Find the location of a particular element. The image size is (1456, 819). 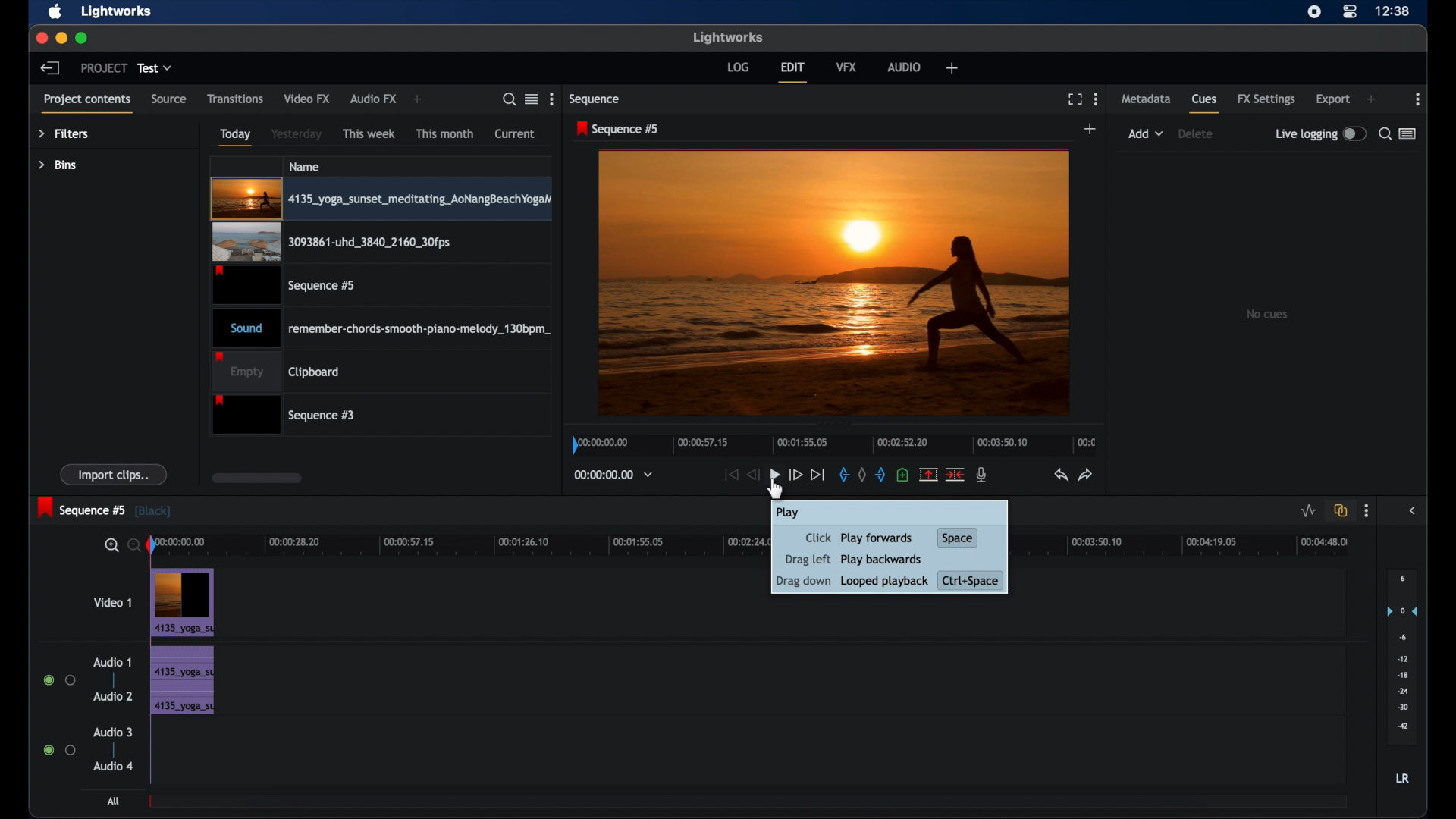

 is located at coordinates (928, 473).